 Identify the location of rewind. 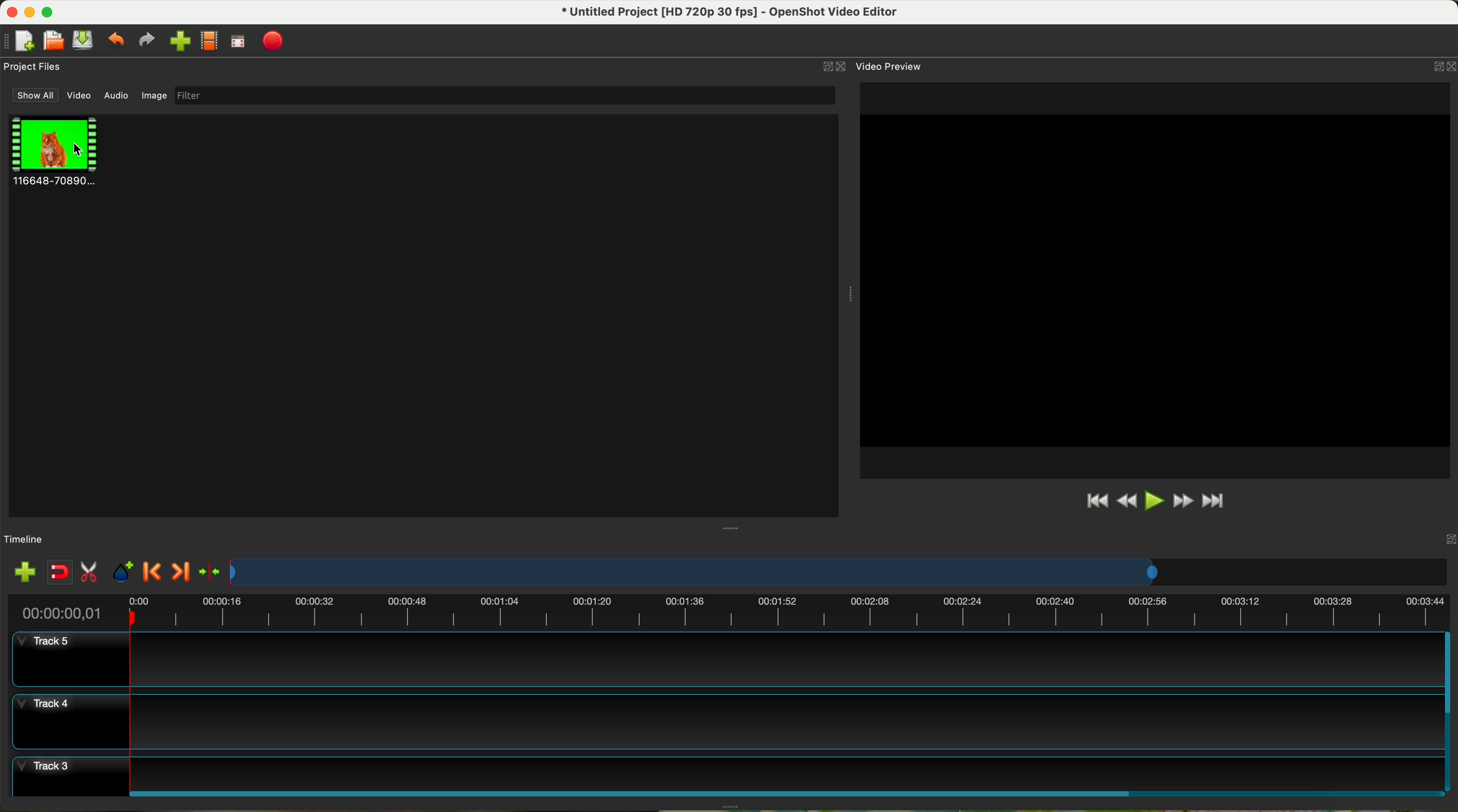
(1128, 501).